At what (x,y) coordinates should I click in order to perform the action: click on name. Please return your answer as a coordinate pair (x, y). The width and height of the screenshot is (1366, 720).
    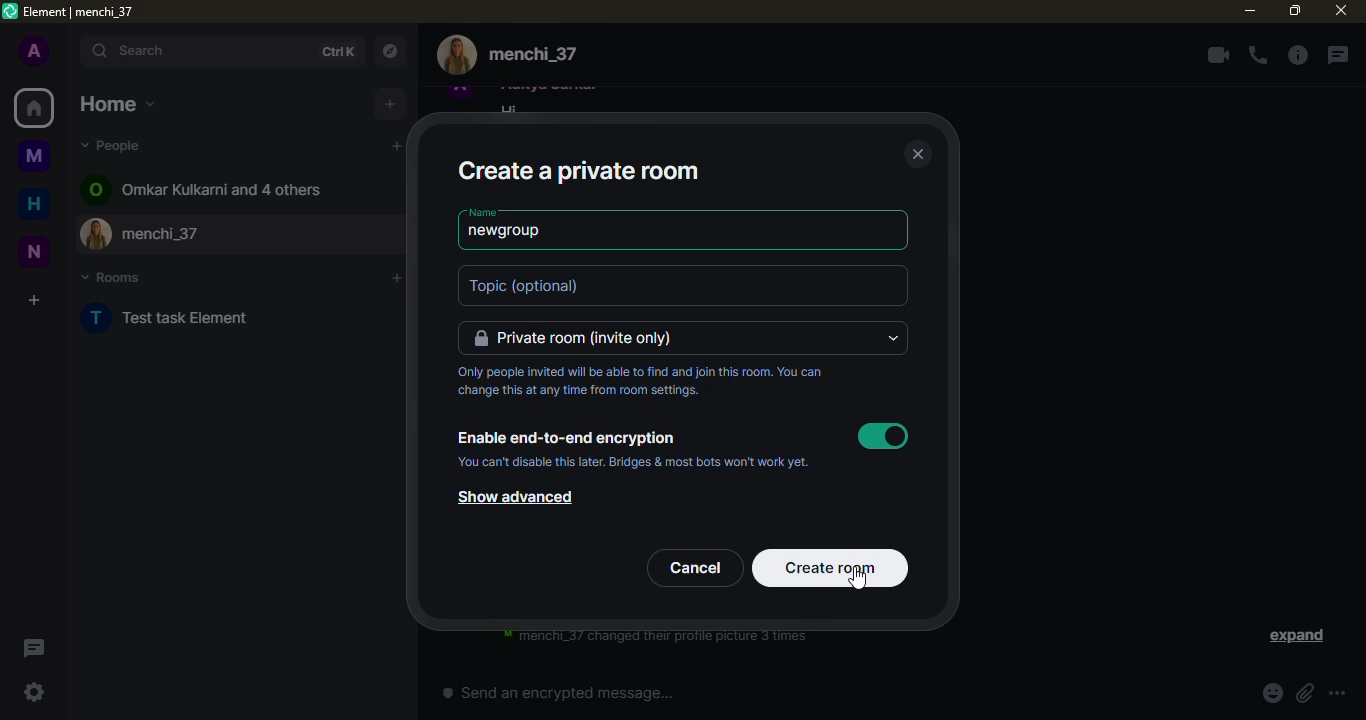
    Looking at the image, I should click on (483, 212).